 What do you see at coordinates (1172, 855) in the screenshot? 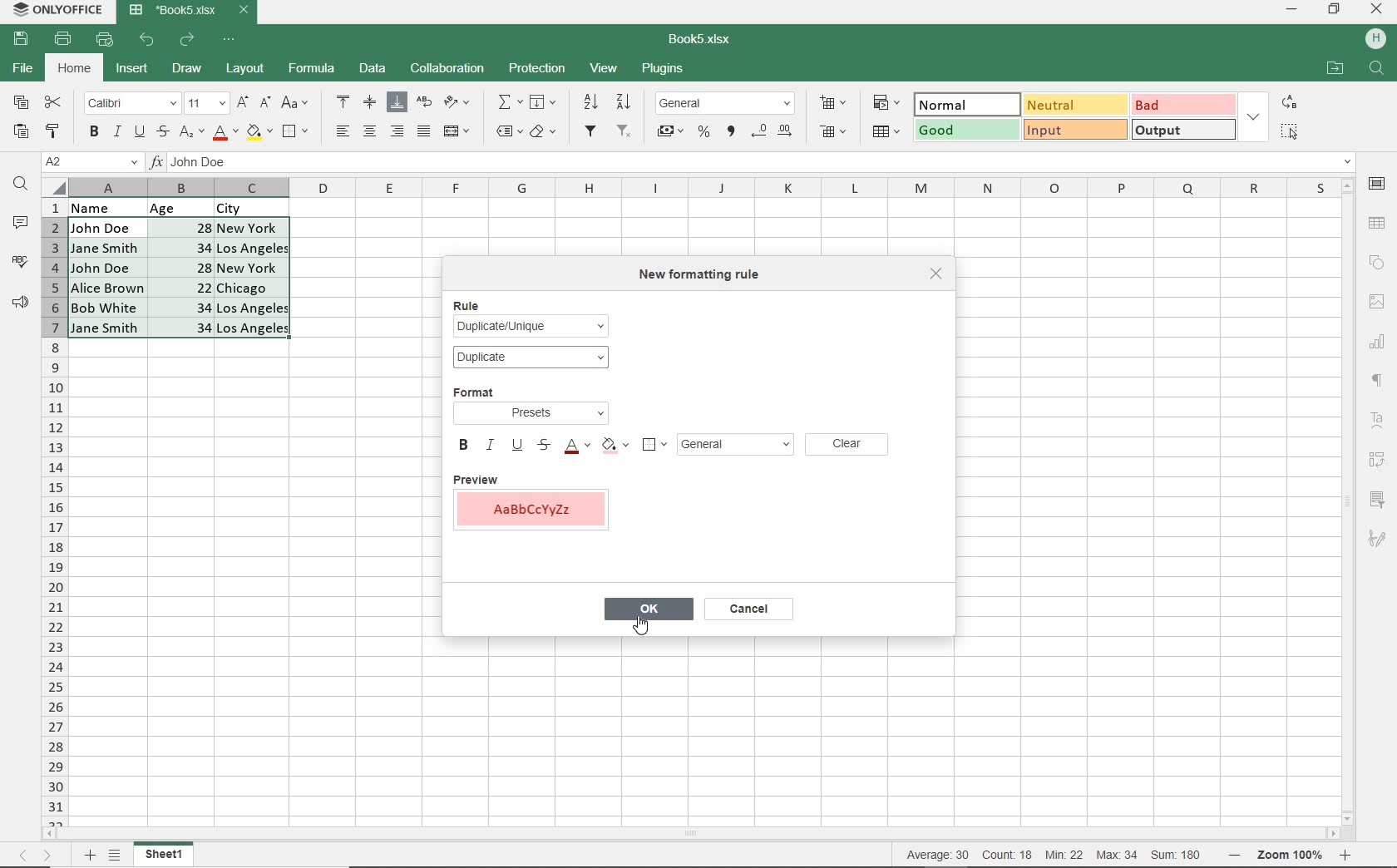
I see `sum` at bounding box center [1172, 855].